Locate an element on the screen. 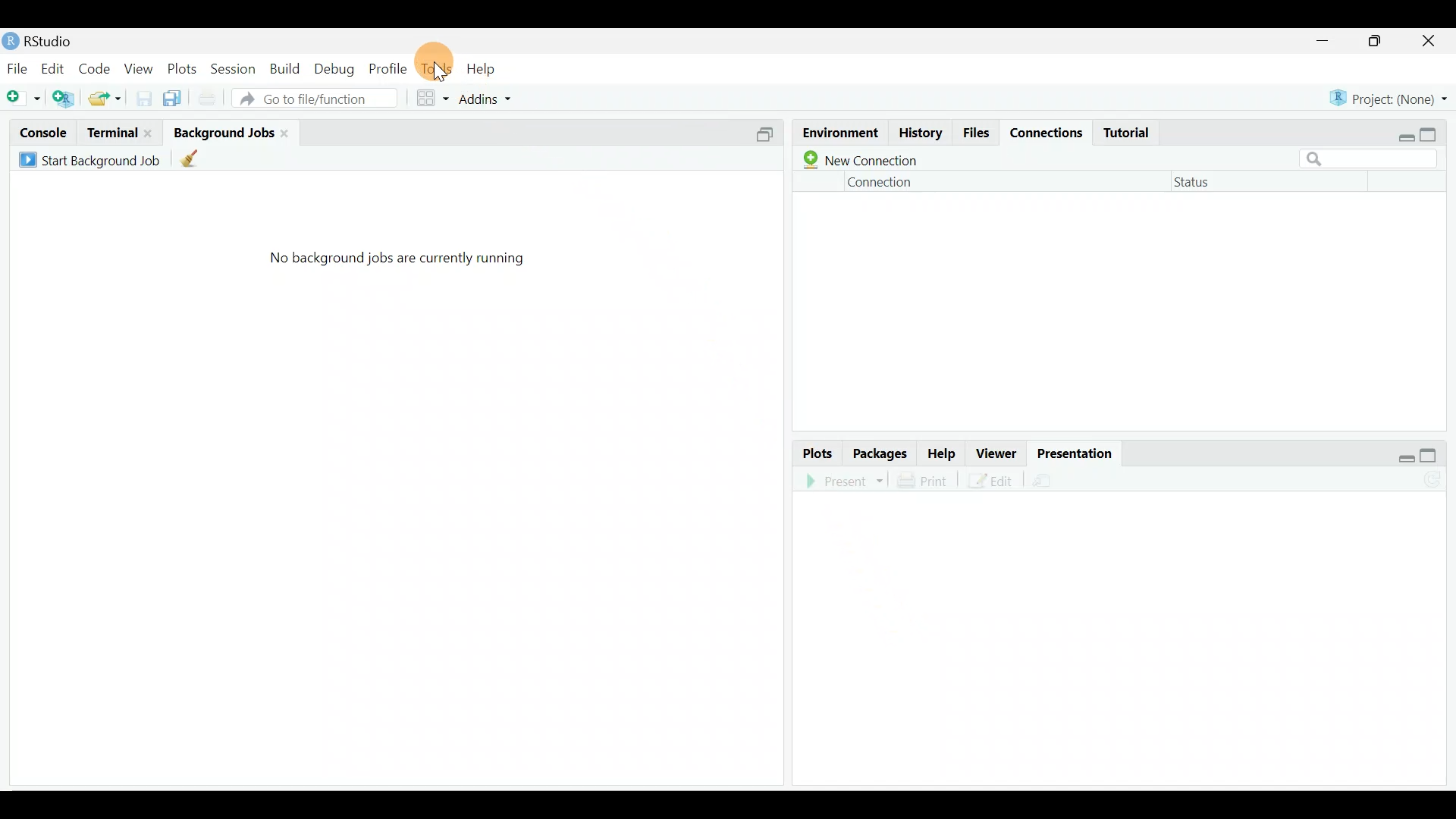 The height and width of the screenshot is (819, 1456). Presentation is located at coordinates (1068, 450).